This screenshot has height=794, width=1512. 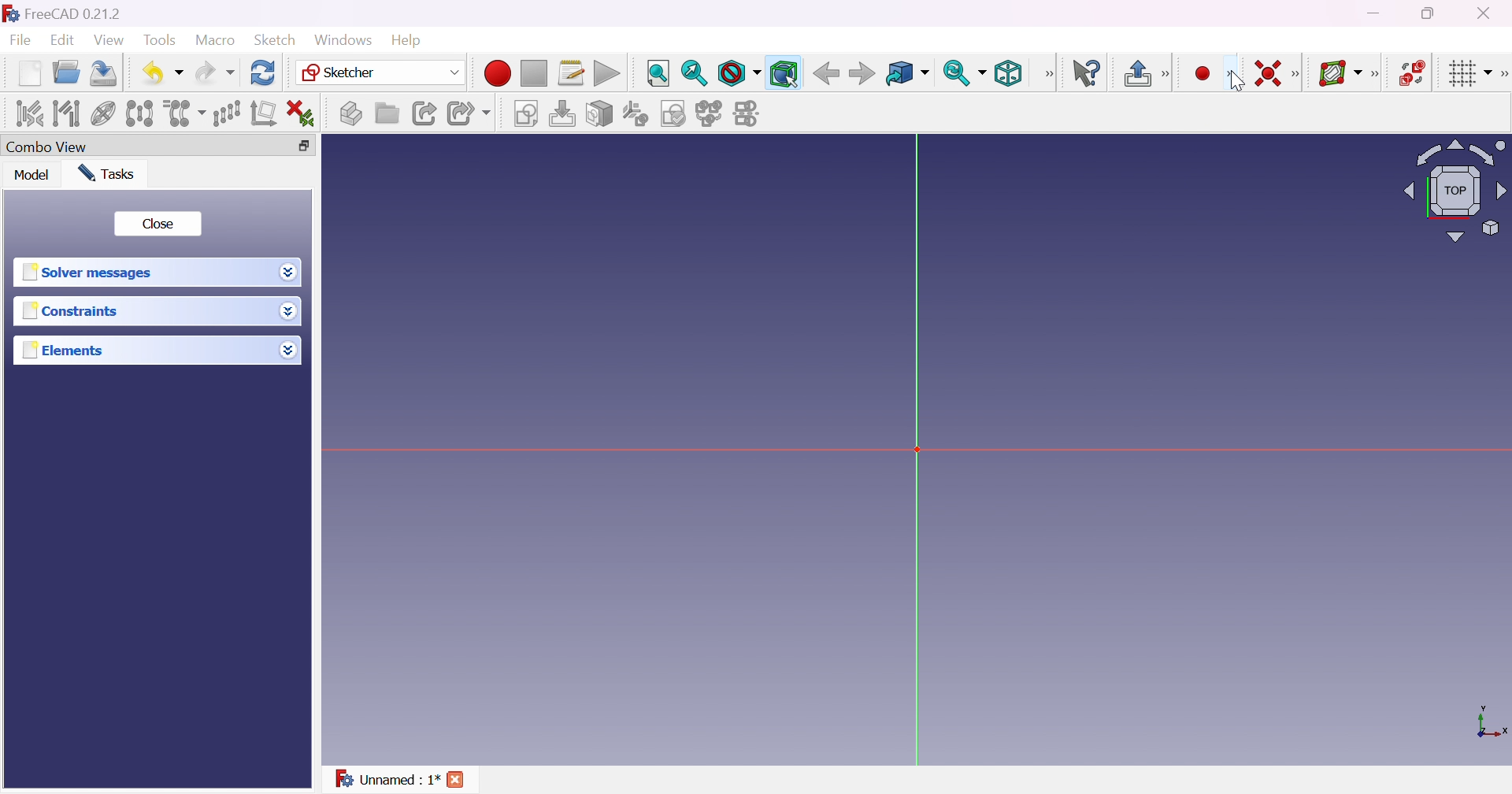 I want to click on Restore down, so click(x=304, y=146).